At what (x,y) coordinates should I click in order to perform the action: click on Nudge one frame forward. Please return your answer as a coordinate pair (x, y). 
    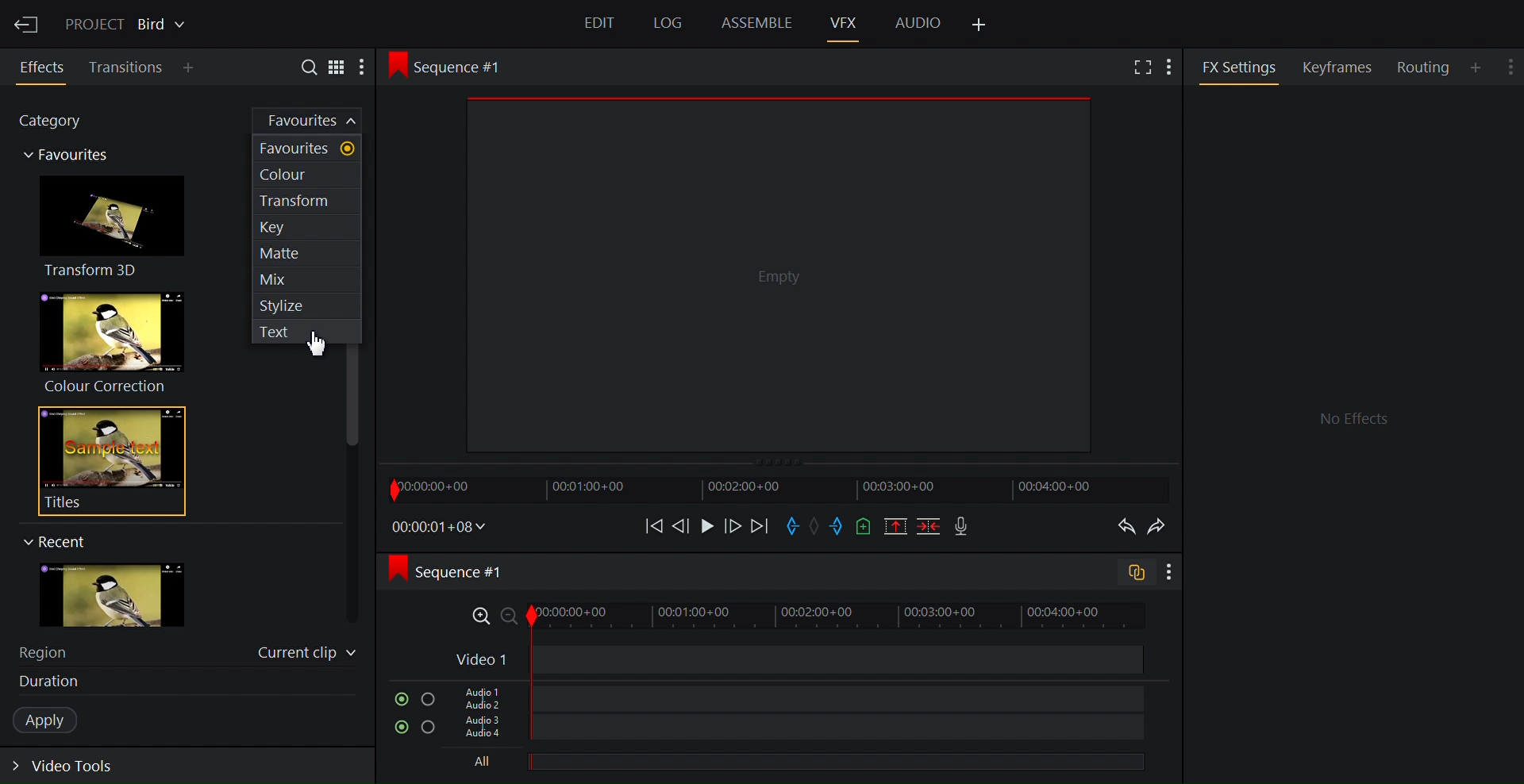
    Looking at the image, I should click on (731, 525).